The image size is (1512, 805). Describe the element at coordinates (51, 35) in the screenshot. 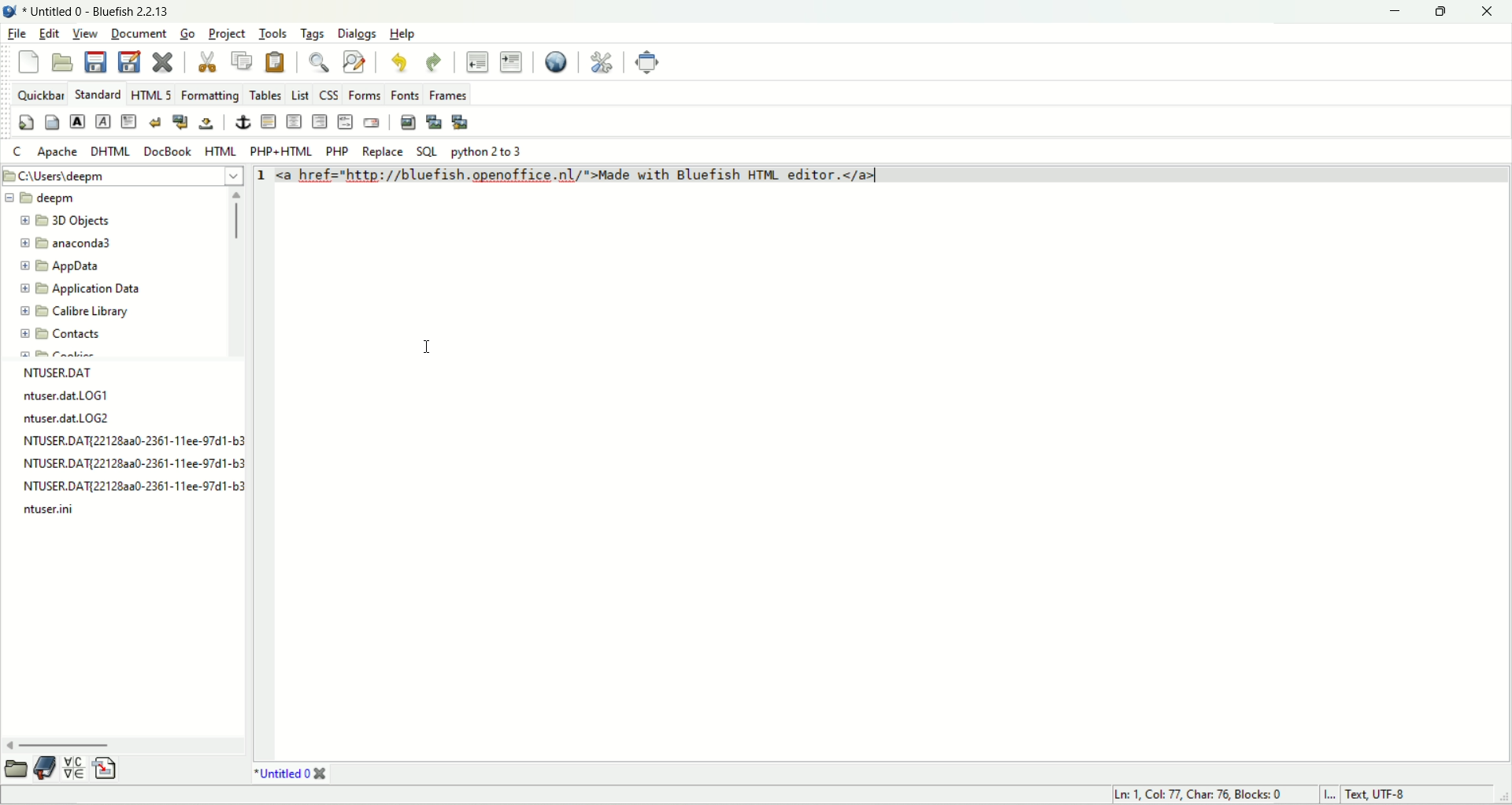

I see `edit` at that location.